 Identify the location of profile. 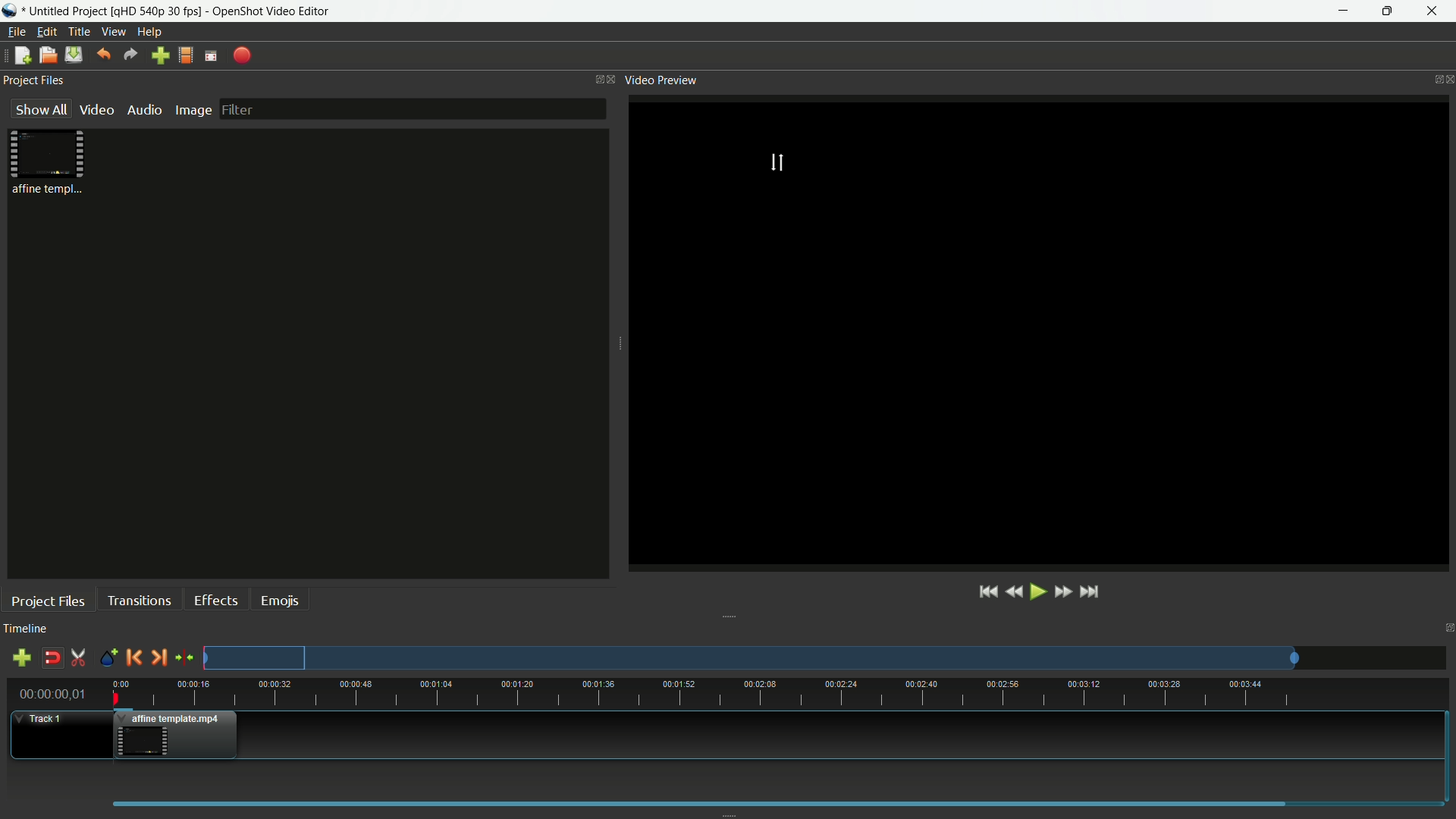
(187, 57).